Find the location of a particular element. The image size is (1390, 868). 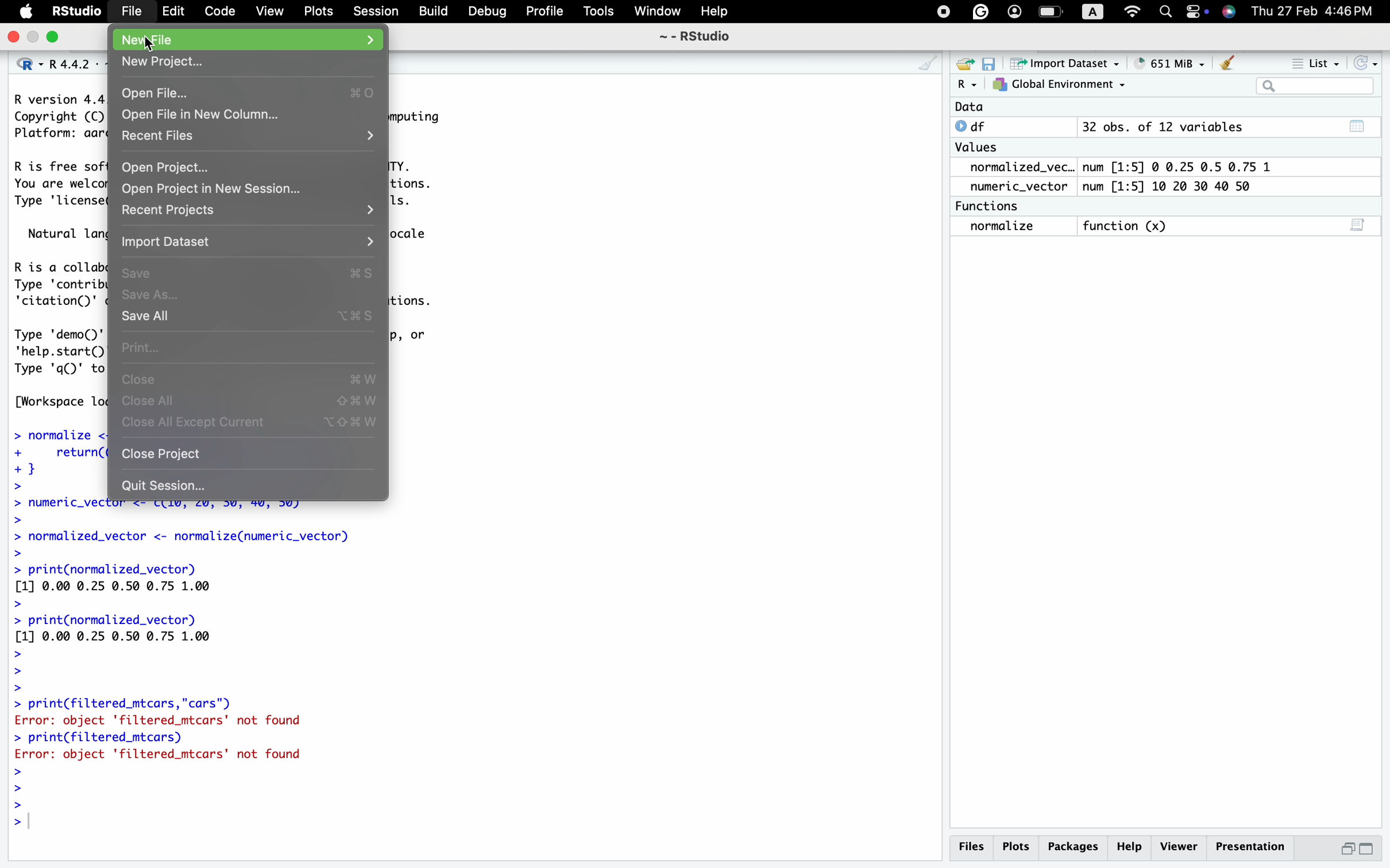

new is located at coordinates (967, 61).